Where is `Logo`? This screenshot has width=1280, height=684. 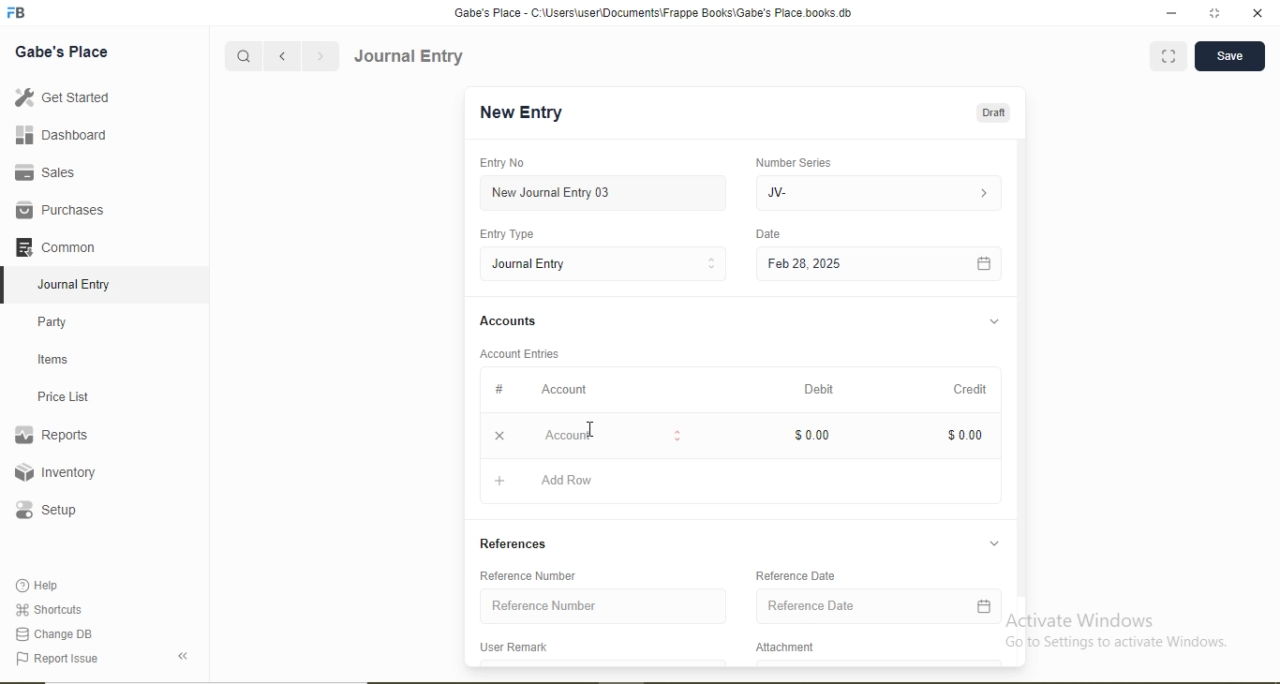
Logo is located at coordinates (17, 13).